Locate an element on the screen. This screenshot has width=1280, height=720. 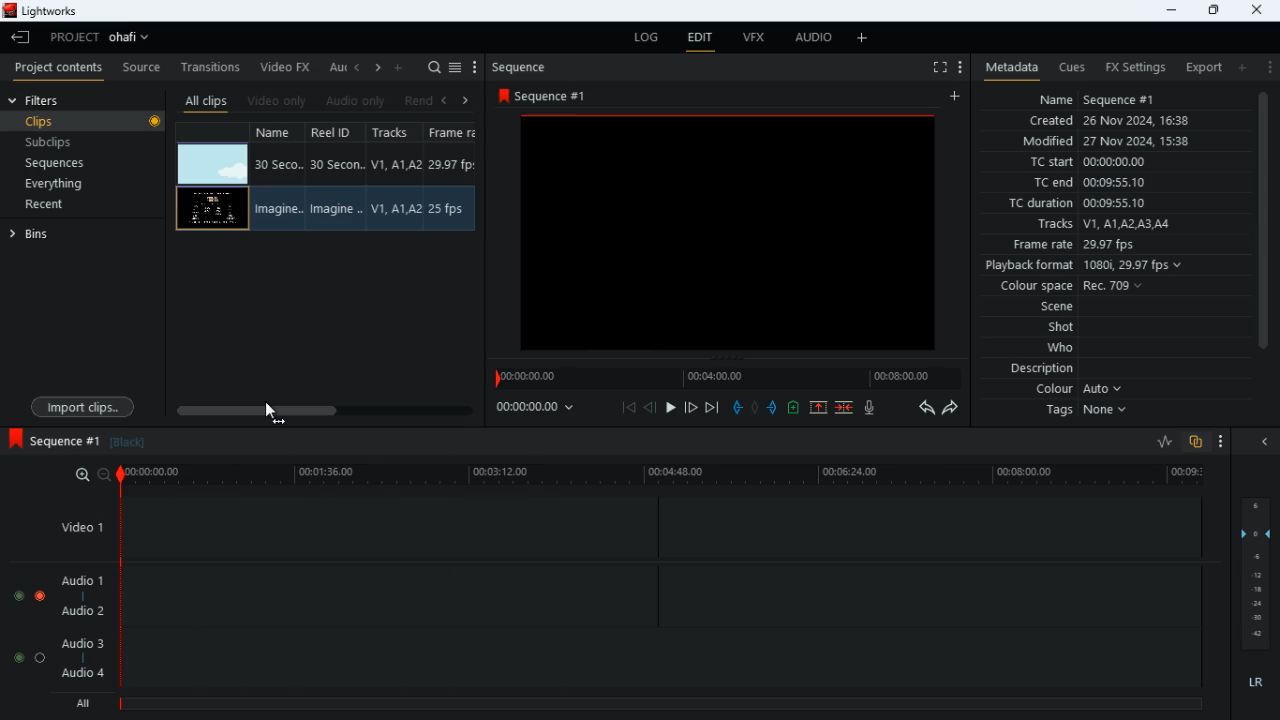
subclips is located at coordinates (61, 143).